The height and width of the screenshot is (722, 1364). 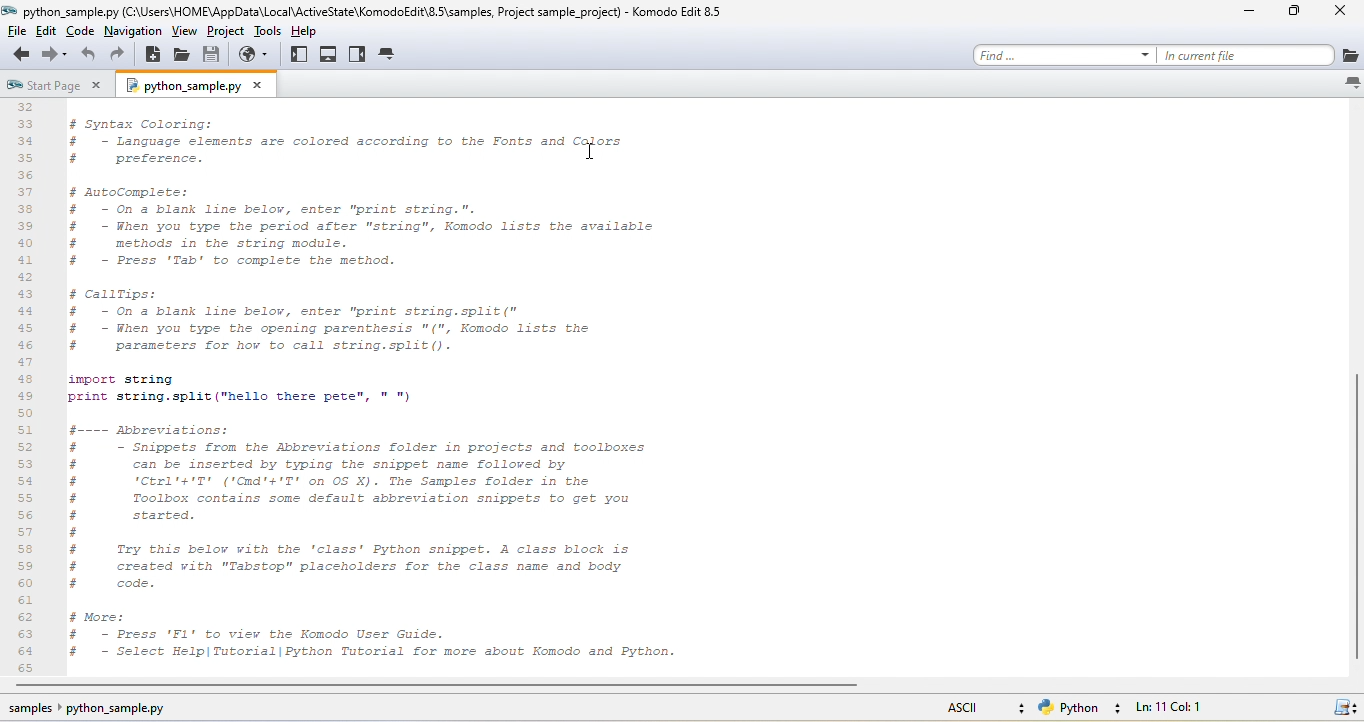 What do you see at coordinates (587, 151) in the screenshot?
I see `Cursor` at bounding box center [587, 151].